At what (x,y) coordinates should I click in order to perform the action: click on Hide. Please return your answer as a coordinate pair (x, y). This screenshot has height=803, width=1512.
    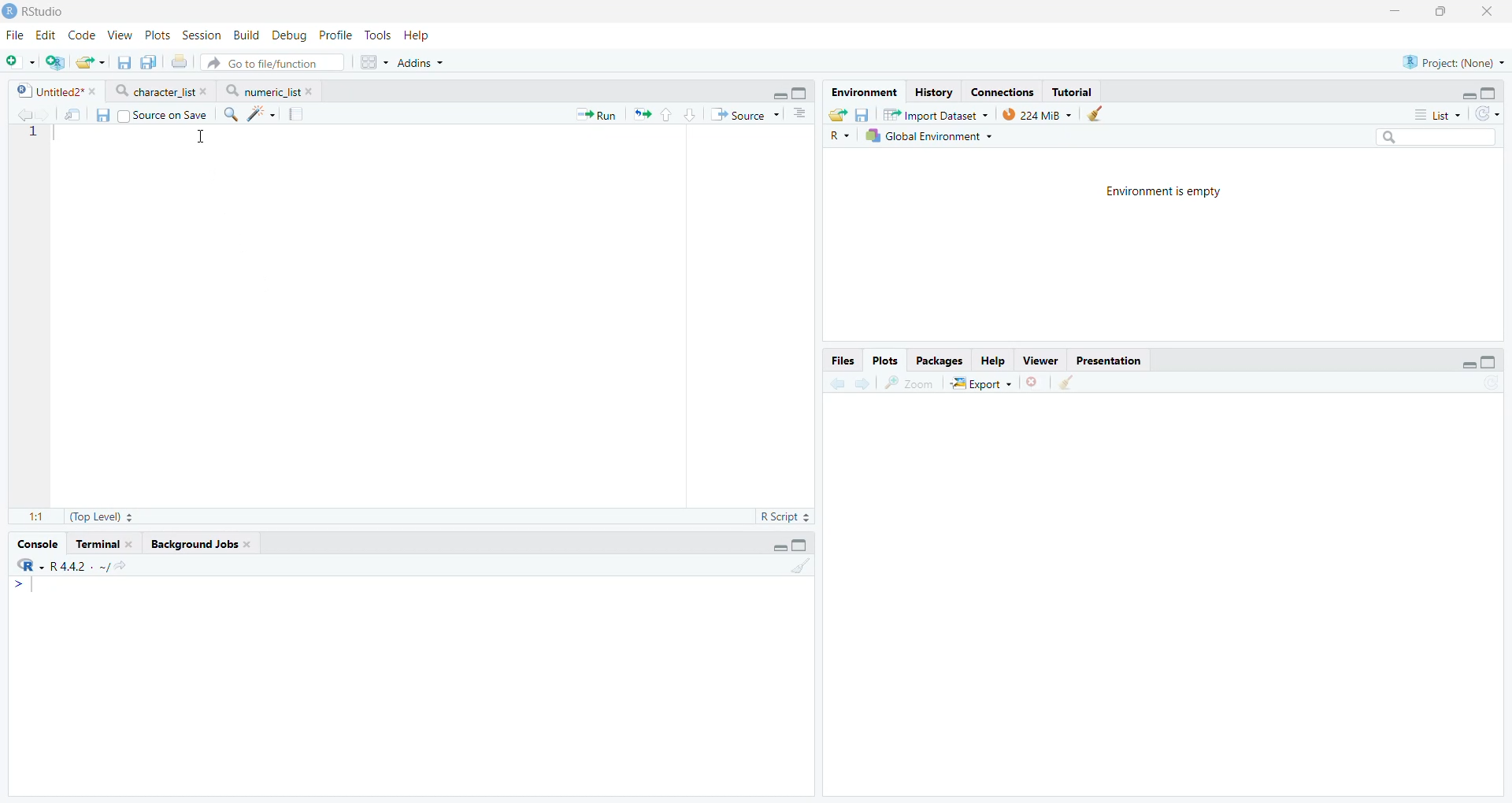
    Looking at the image, I should click on (779, 95).